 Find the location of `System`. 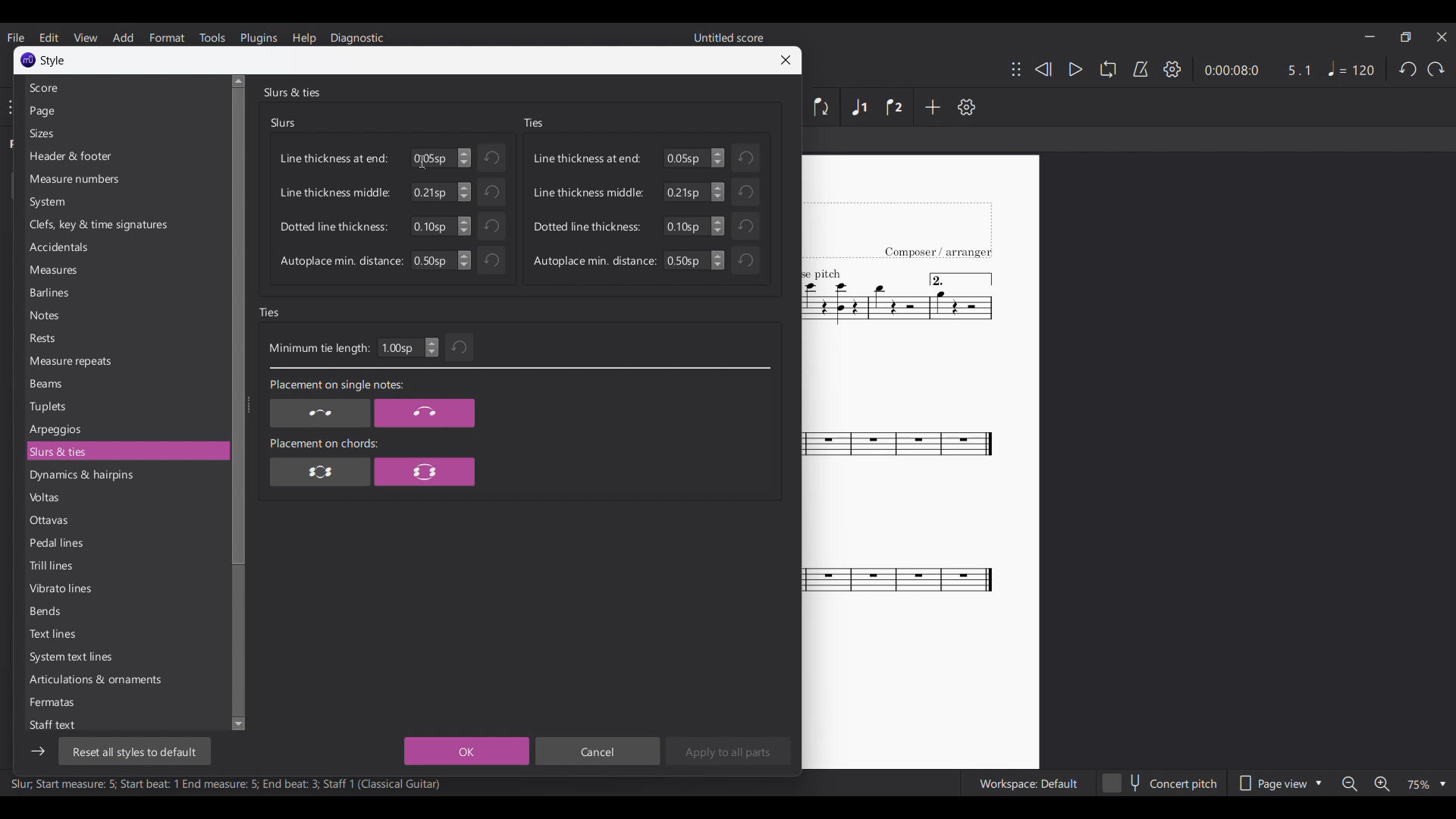

System is located at coordinates (124, 202).